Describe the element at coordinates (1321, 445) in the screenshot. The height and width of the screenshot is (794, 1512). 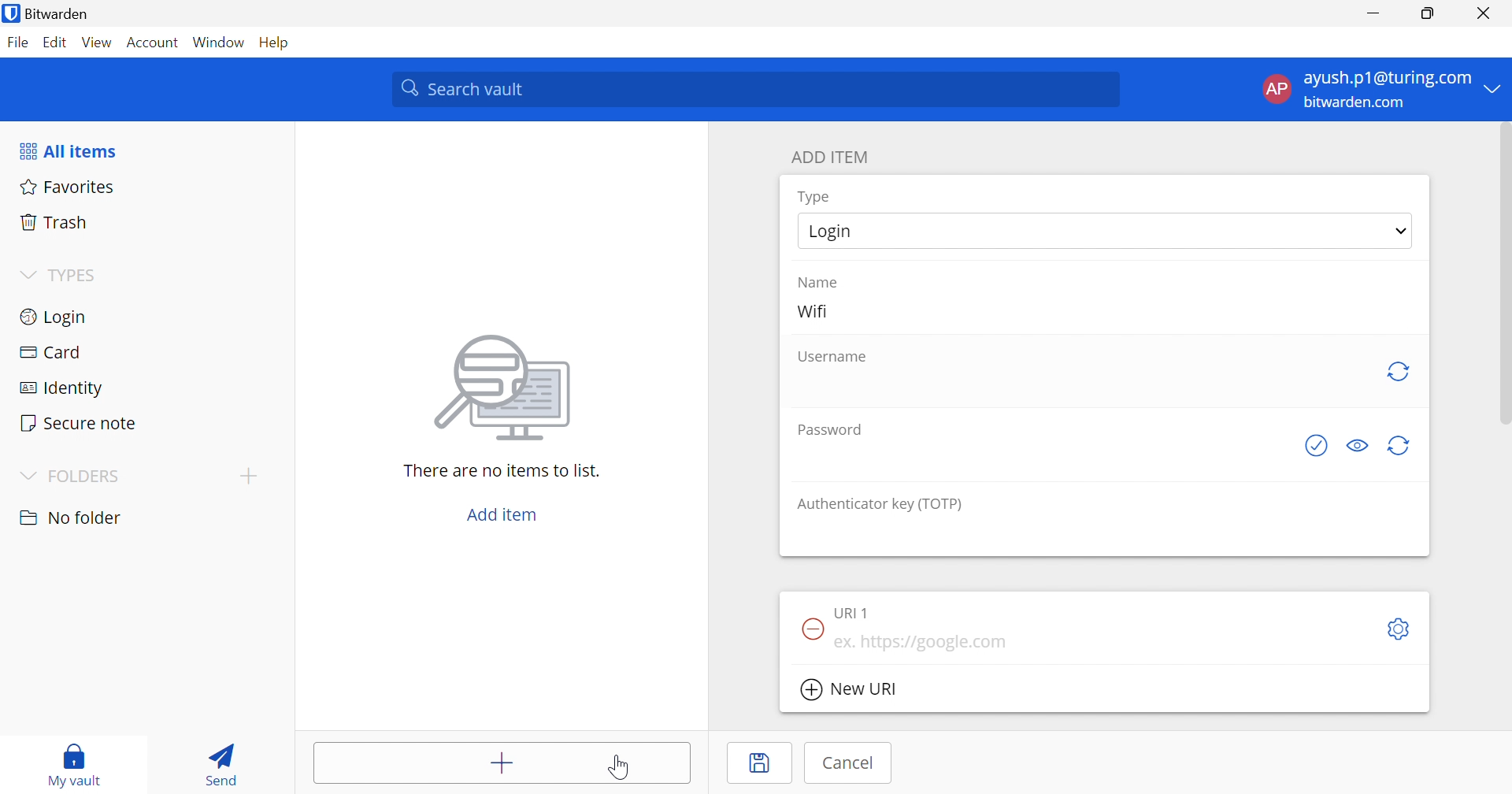
I see `Check if password has been exposed` at that location.